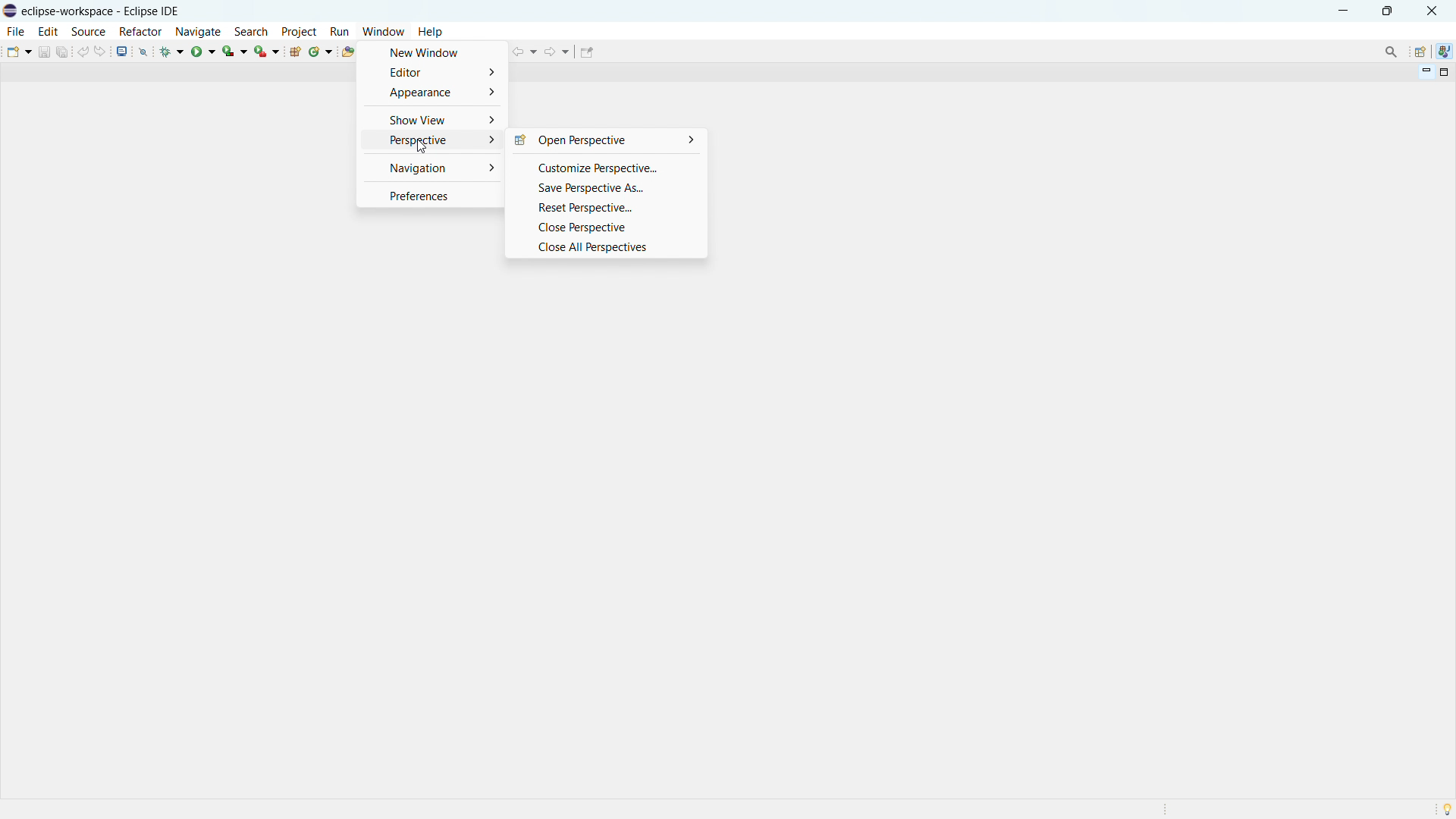  Describe the element at coordinates (17, 51) in the screenshot. I see `new` at that location.